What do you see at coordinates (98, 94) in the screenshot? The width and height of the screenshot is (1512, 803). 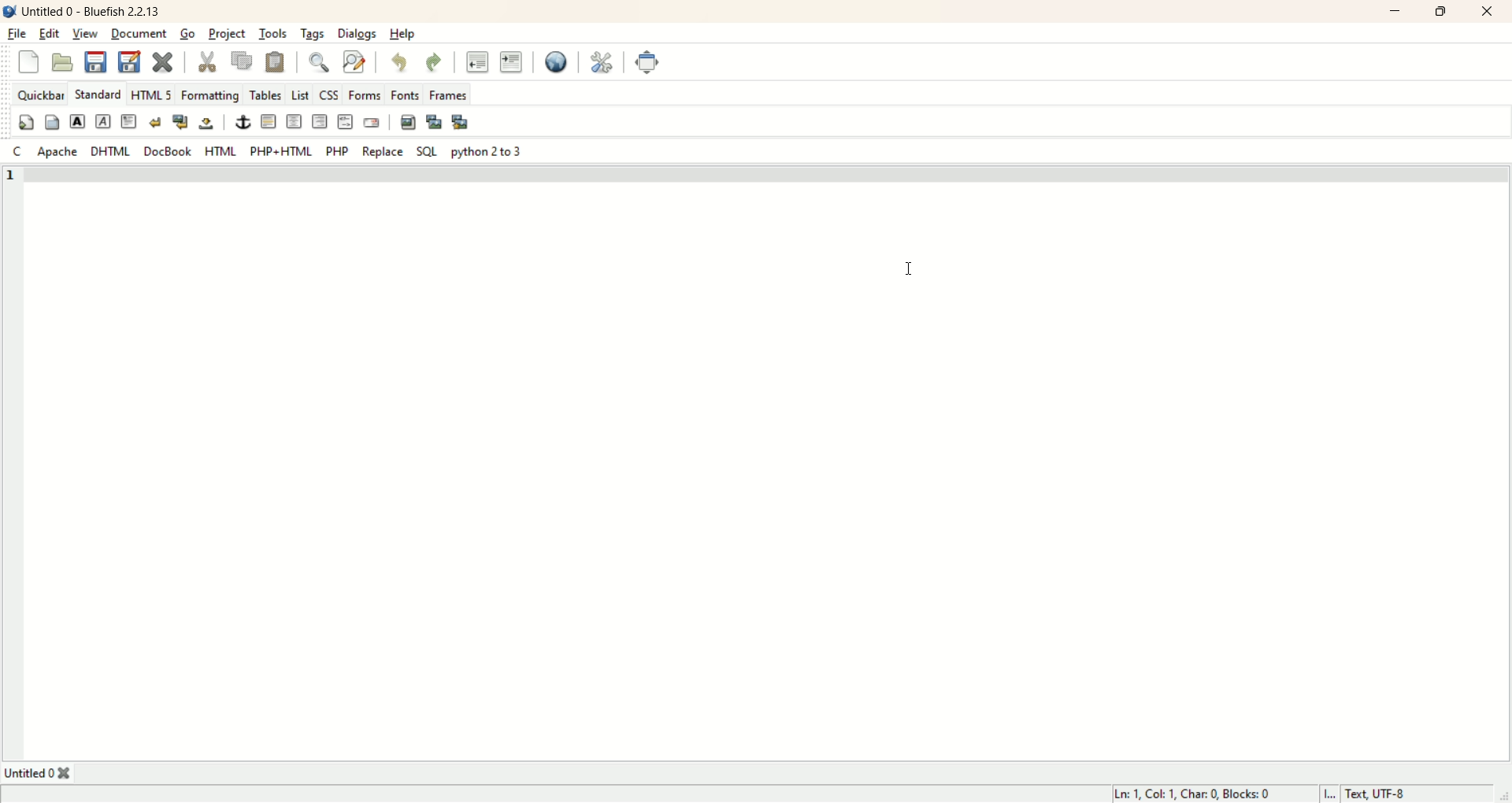 I see `STANDARD` at bounding box center [98, 94].